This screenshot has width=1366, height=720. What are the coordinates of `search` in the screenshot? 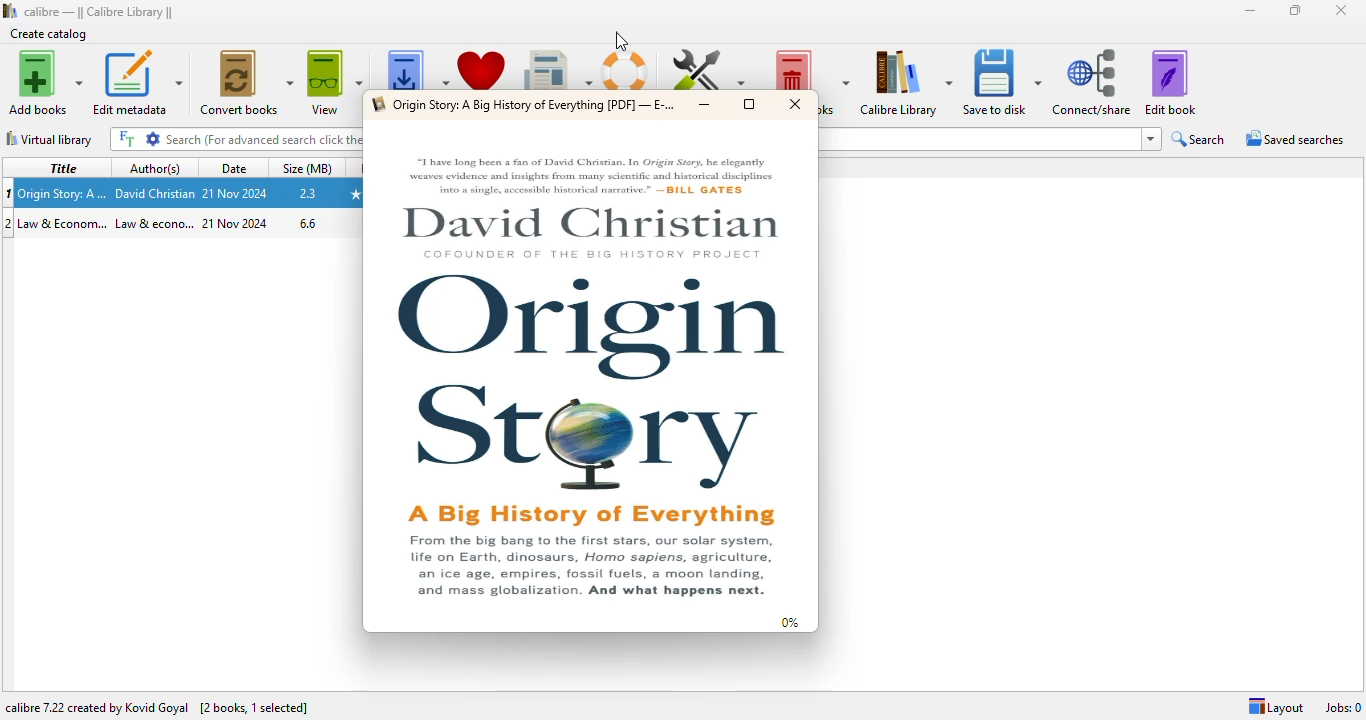 It's located at (1200, 139).